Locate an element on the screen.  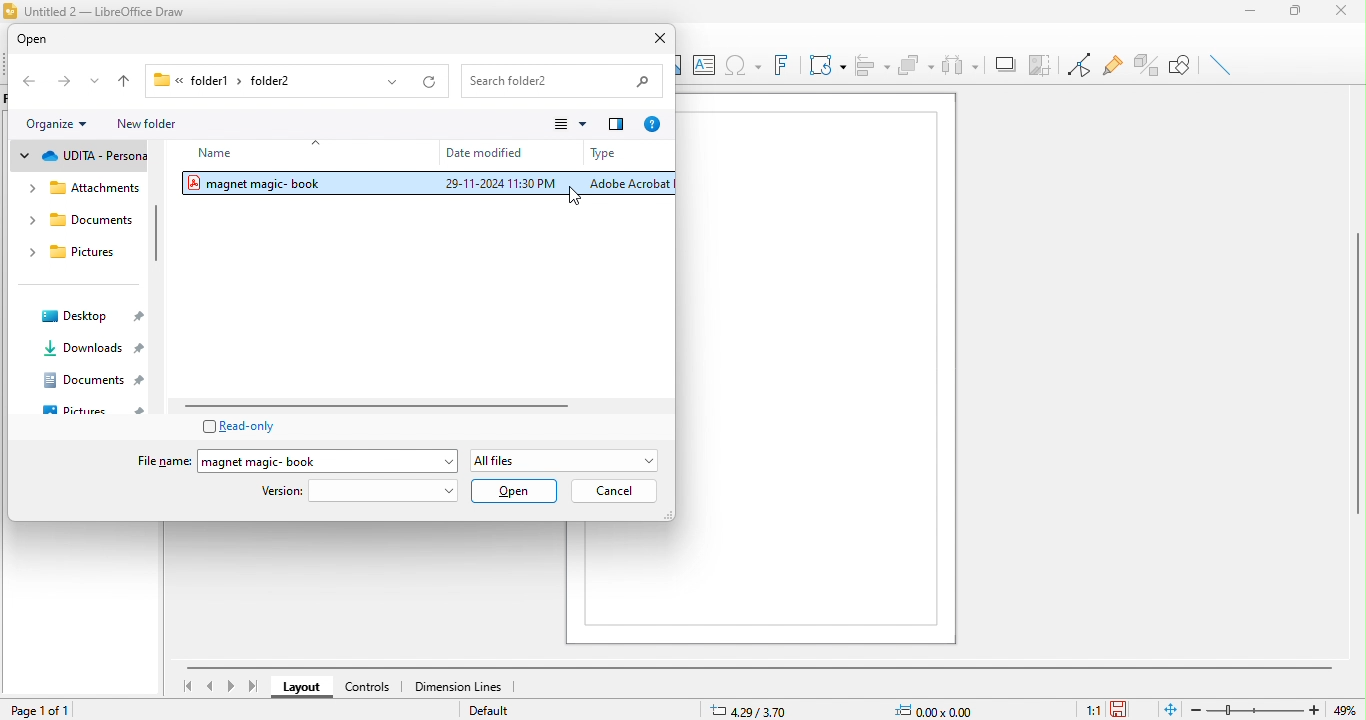
open is located at coordinates (515, 491).